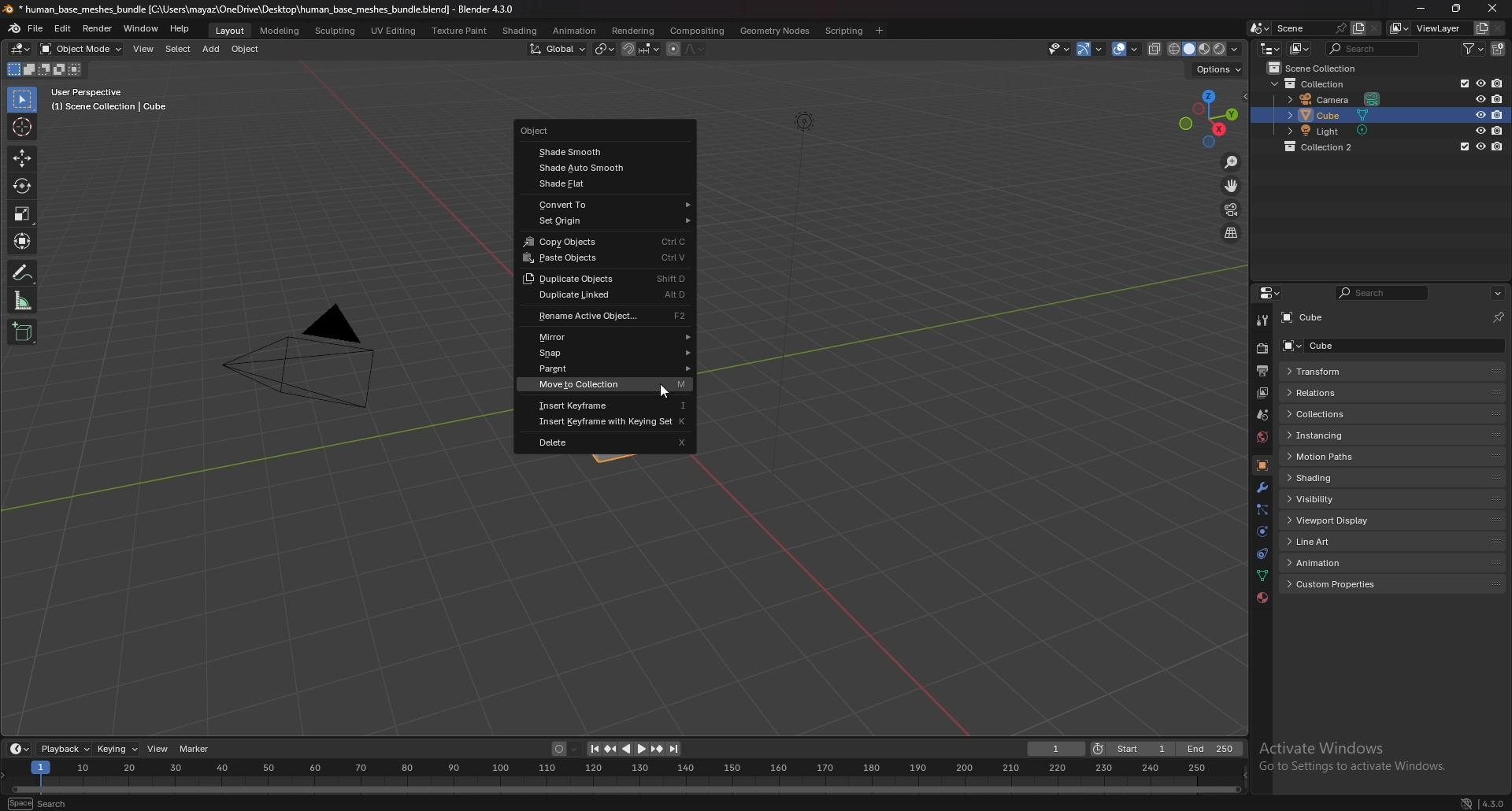  I want to click on texture paint, so click(461, 31).